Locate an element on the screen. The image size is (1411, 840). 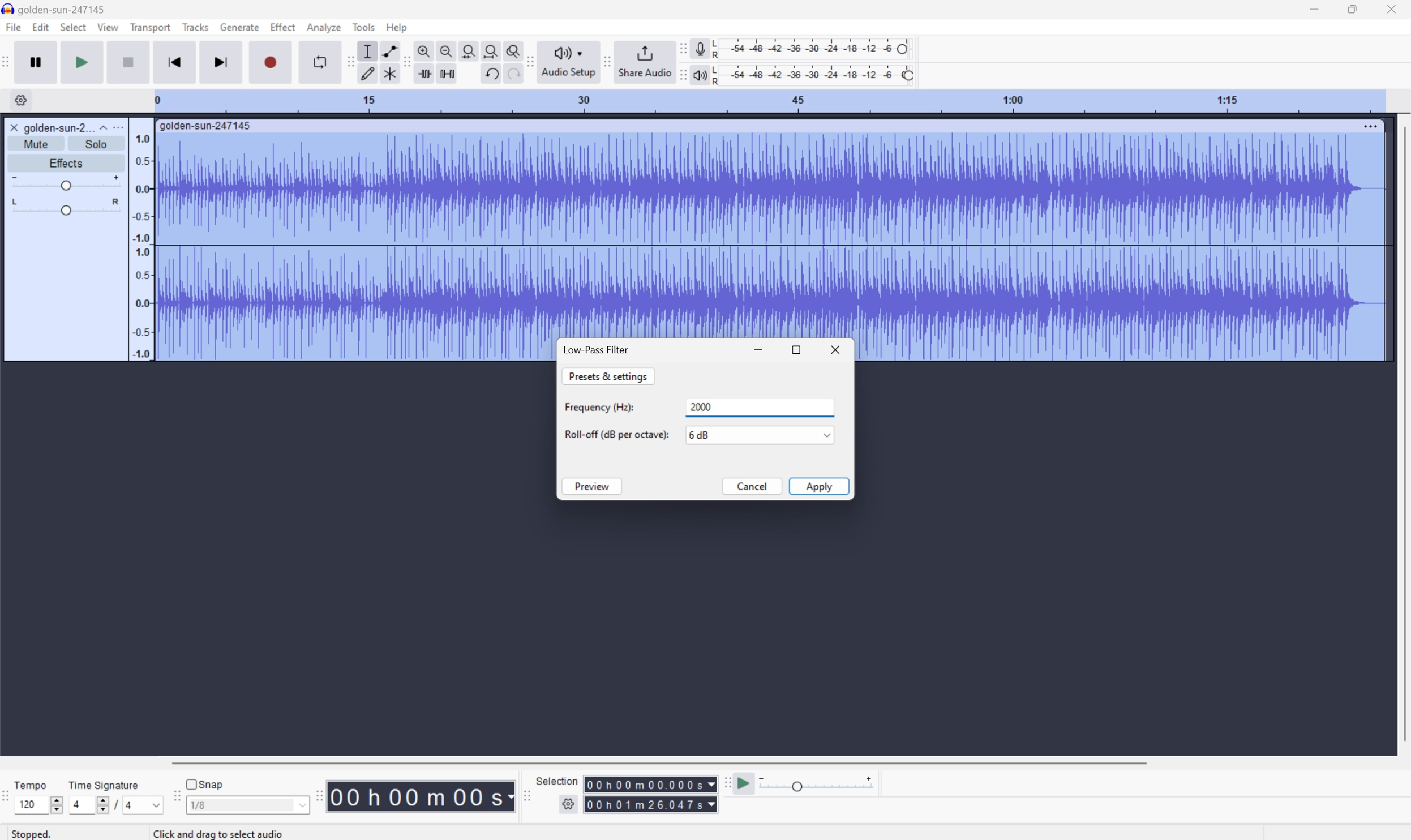
Drop Down is located at coordinates (825, 434).